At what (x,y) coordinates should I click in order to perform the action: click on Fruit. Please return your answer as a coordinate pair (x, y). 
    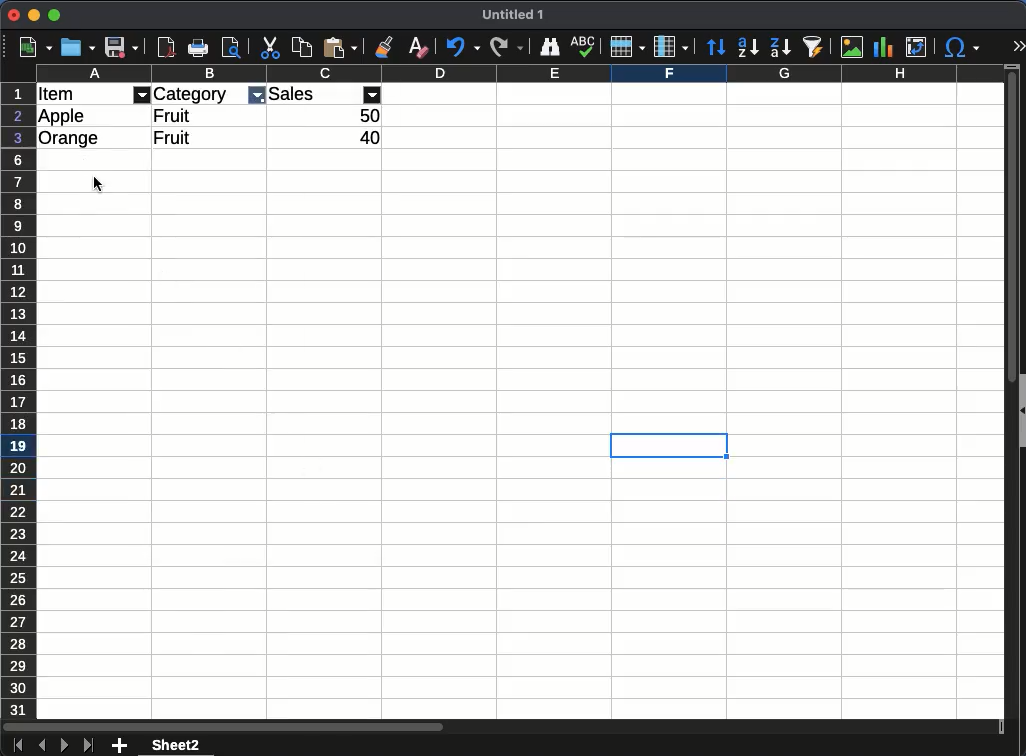
    Looking at the image, I should click on (171, 137).